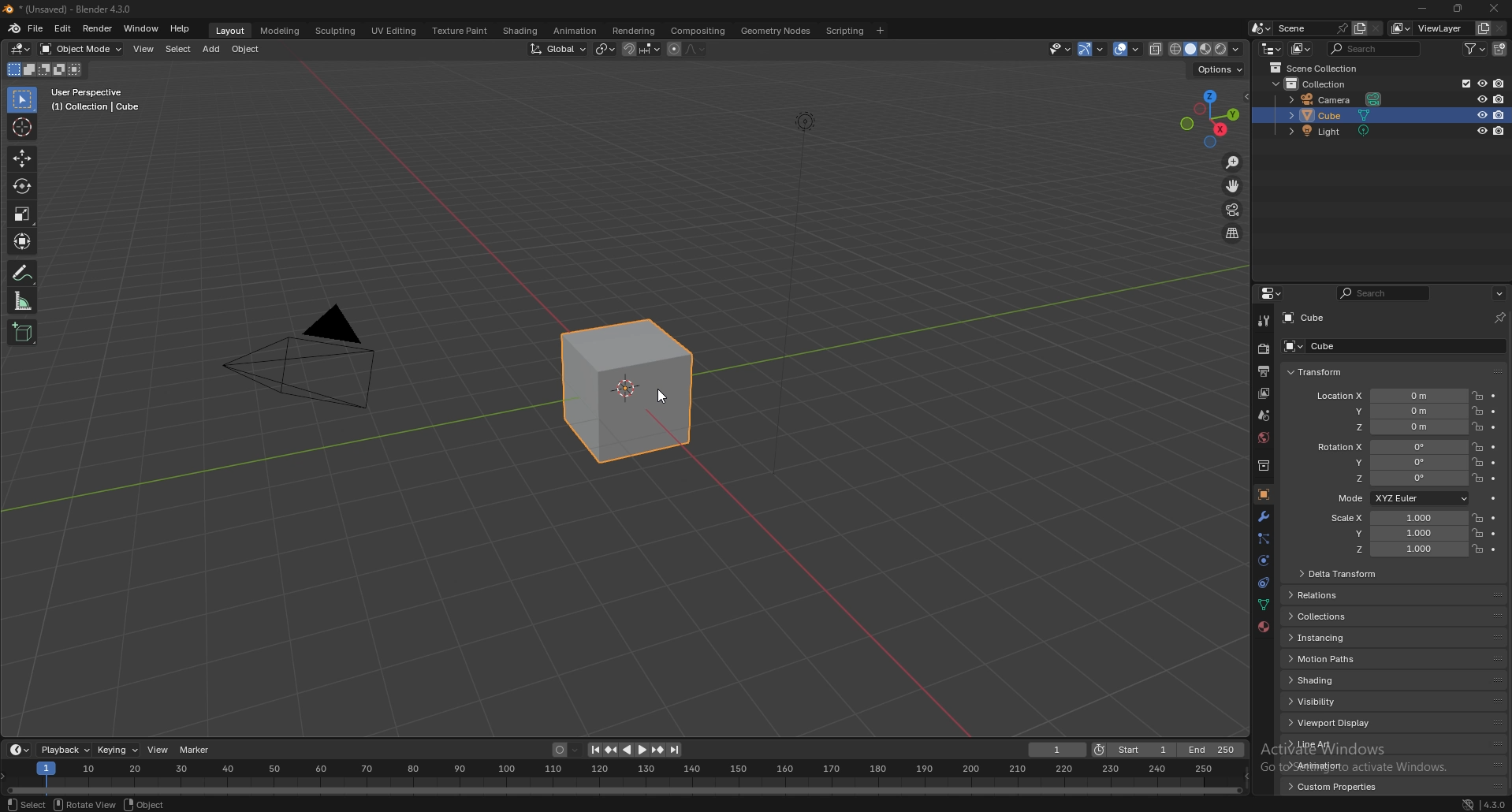  I want to click on seek, so click(628, 778).